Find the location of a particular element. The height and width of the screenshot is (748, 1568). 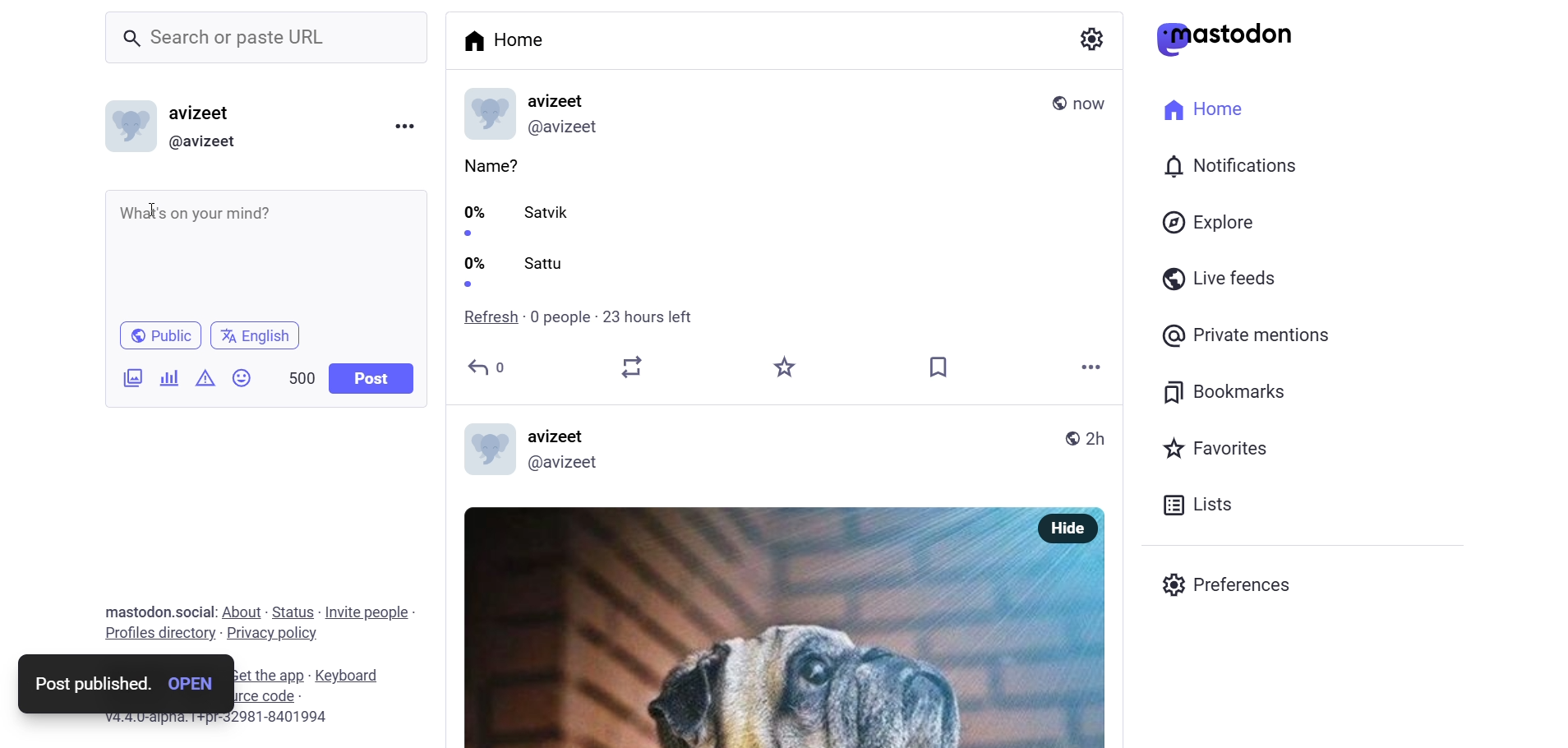

public is located at coordinates (160, 335).